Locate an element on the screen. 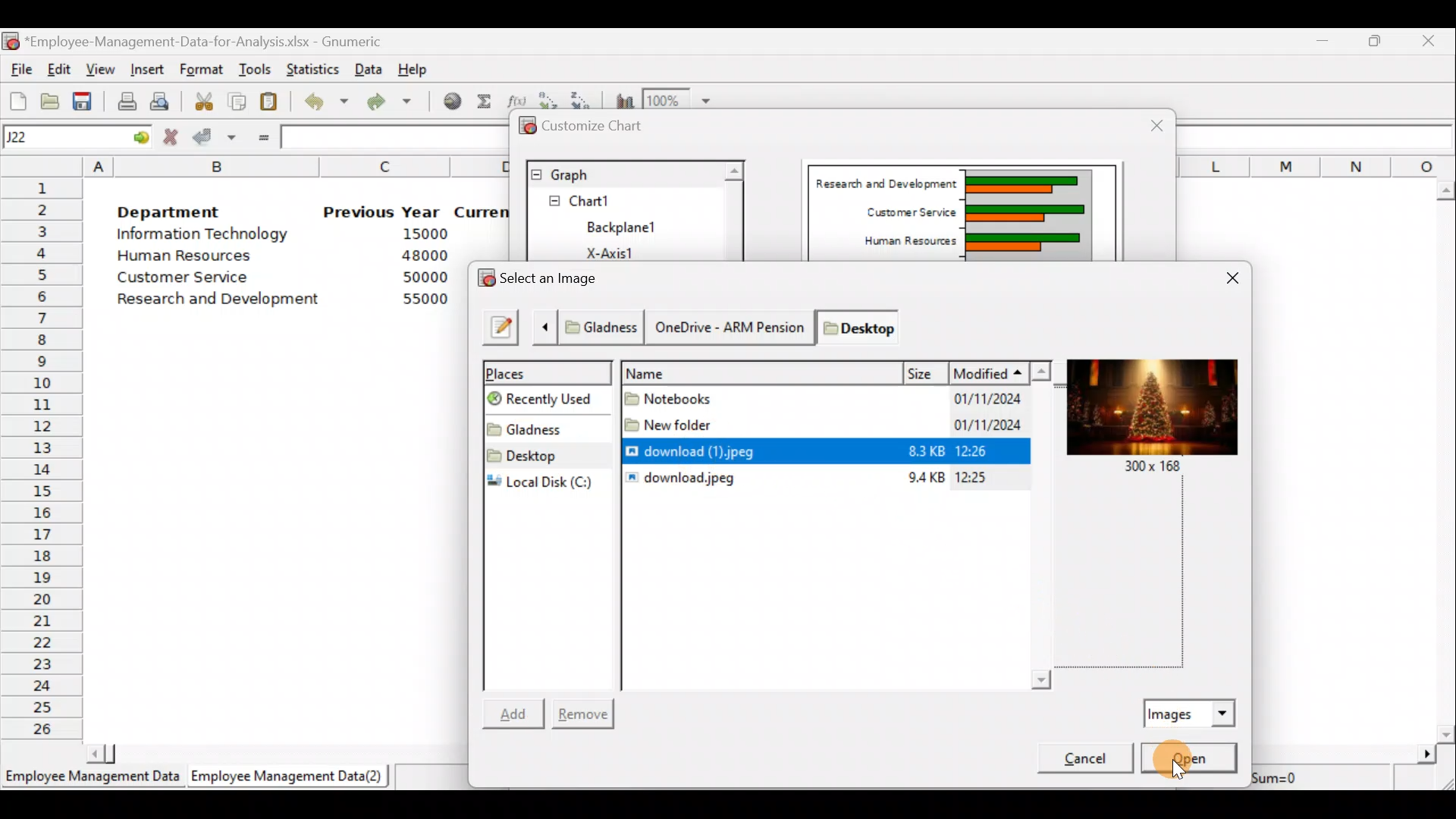 This screenshot has width=1456, height=819. 12:25 is located at coordinates (979, 475).